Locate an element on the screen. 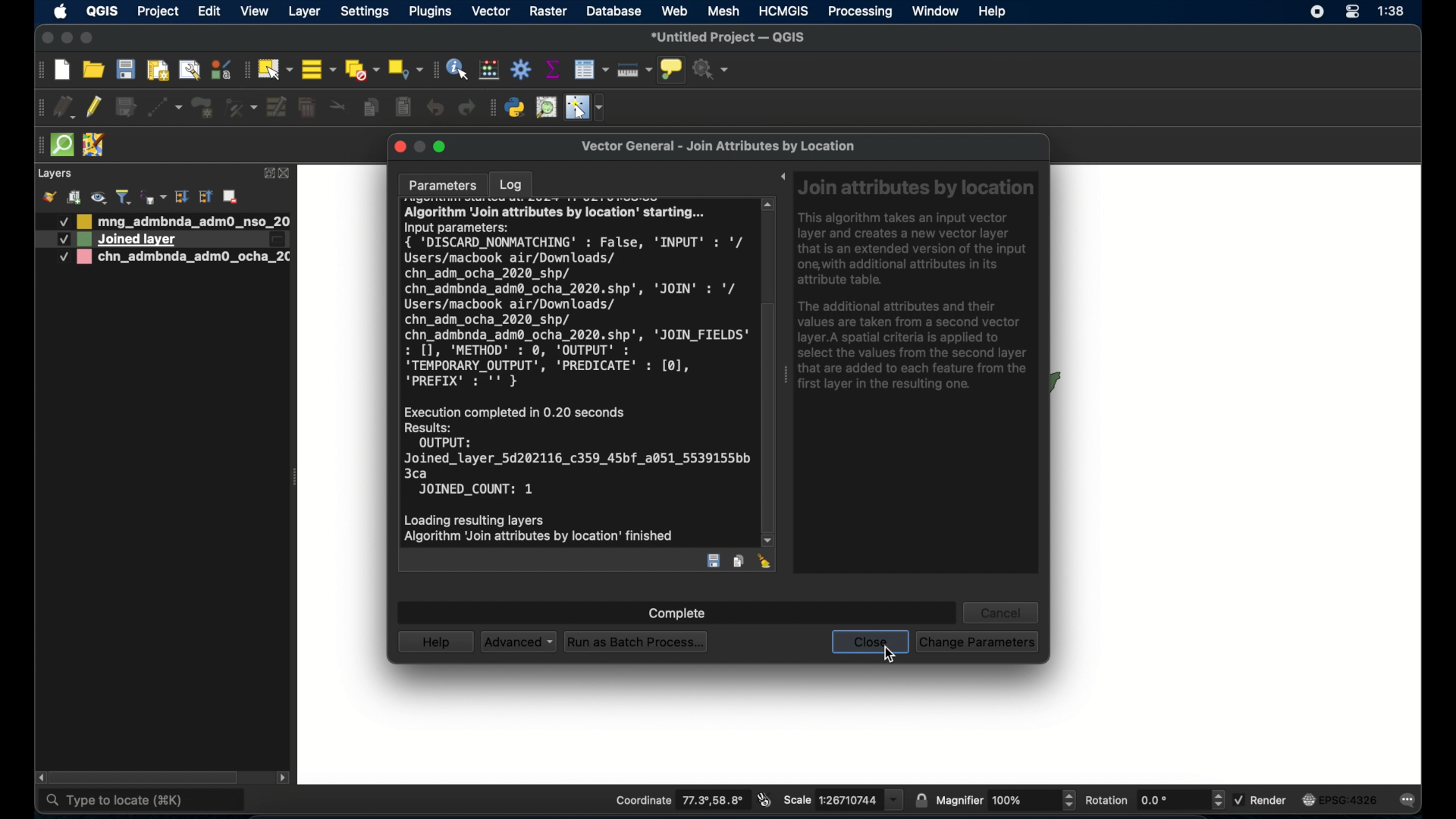 This screenshot has height=819, width=1456. digitizing toolbar is located at coordinates (41, 108).